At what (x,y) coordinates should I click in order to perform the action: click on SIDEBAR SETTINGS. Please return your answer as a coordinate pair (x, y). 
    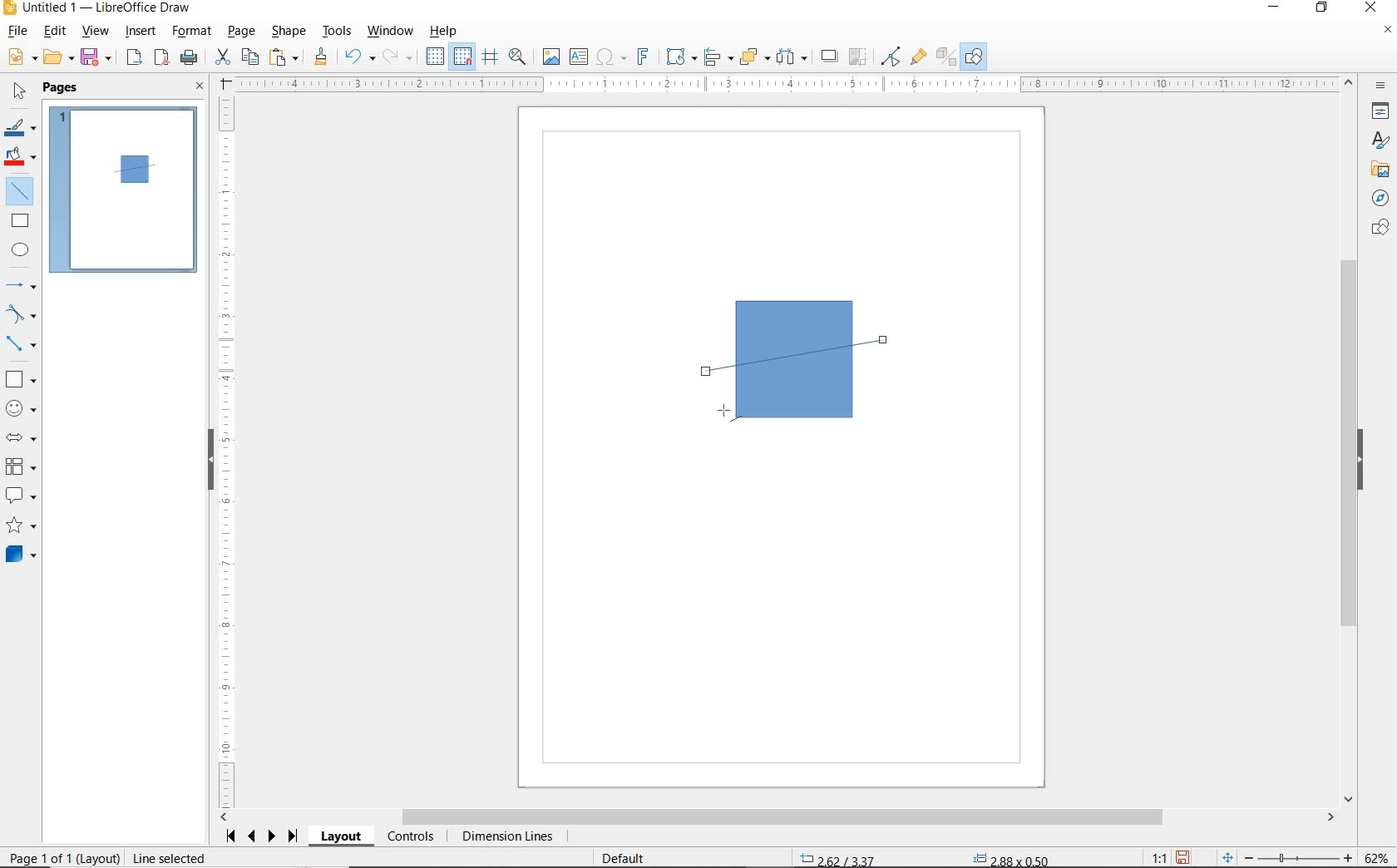
    Looking at the image, I should click on (1382, 86).